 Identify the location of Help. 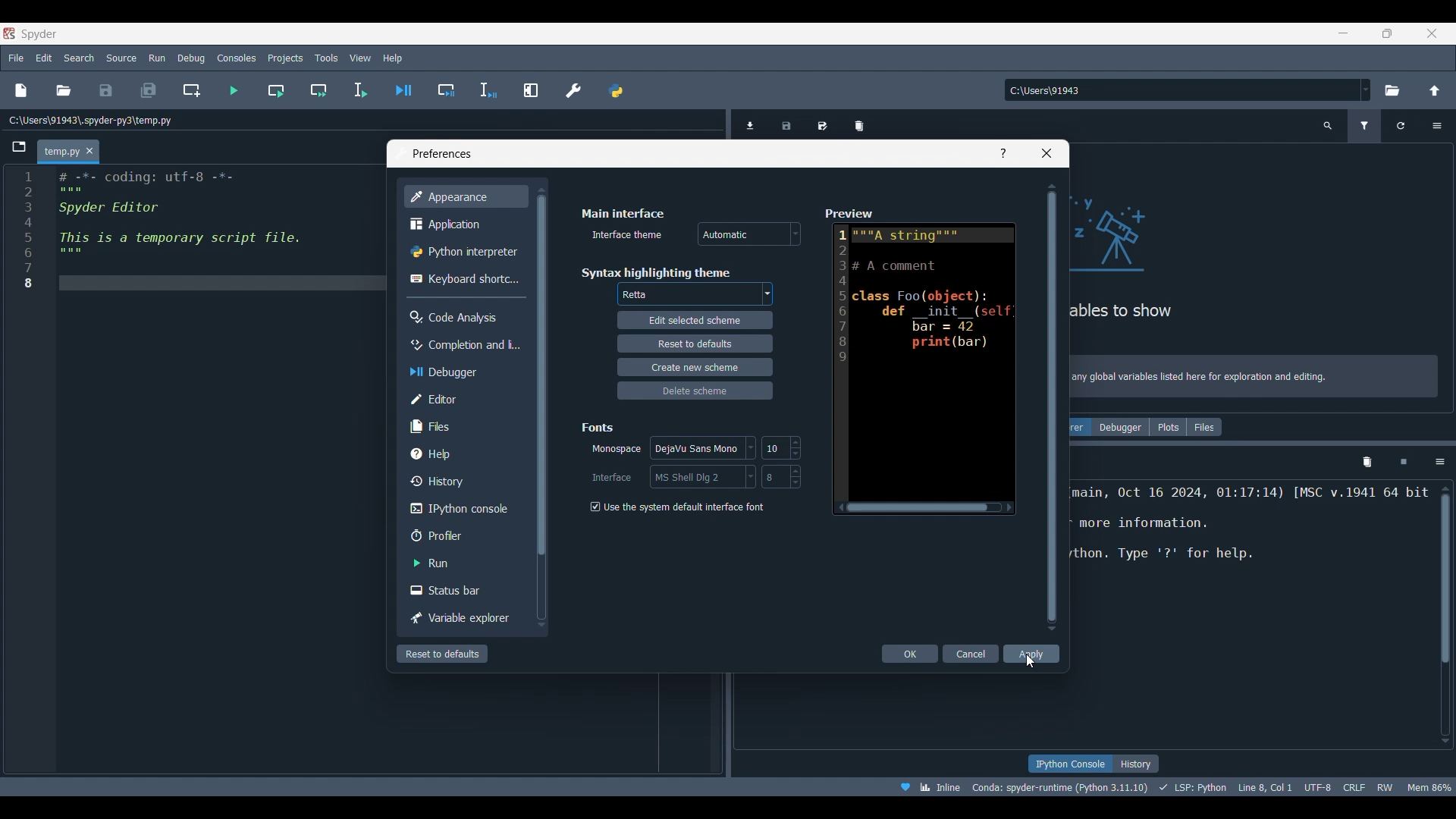
(463, 453).